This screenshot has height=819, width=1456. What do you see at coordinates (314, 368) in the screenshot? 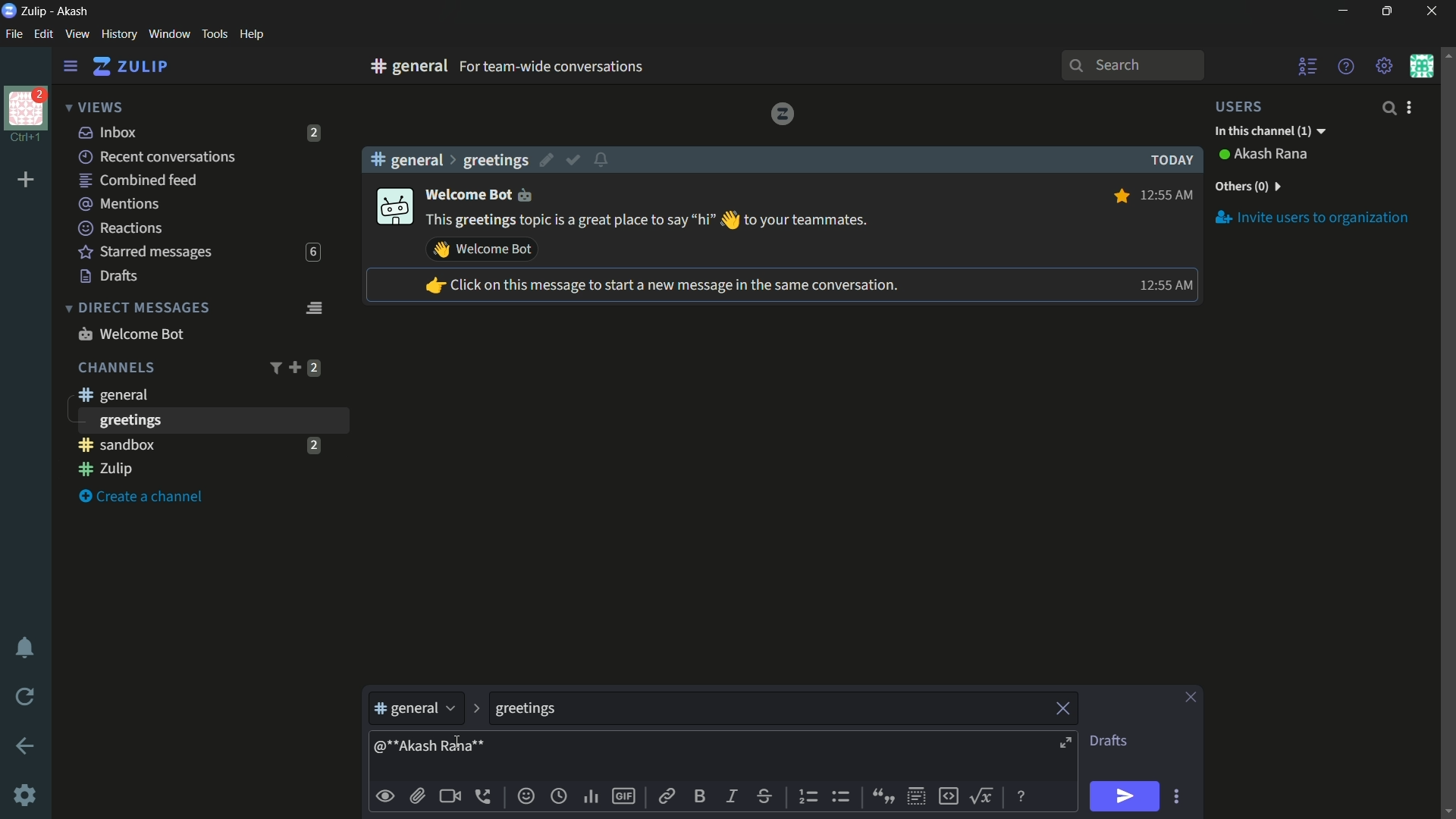
I see `2 unread messages` at bounding box center [314, 368].